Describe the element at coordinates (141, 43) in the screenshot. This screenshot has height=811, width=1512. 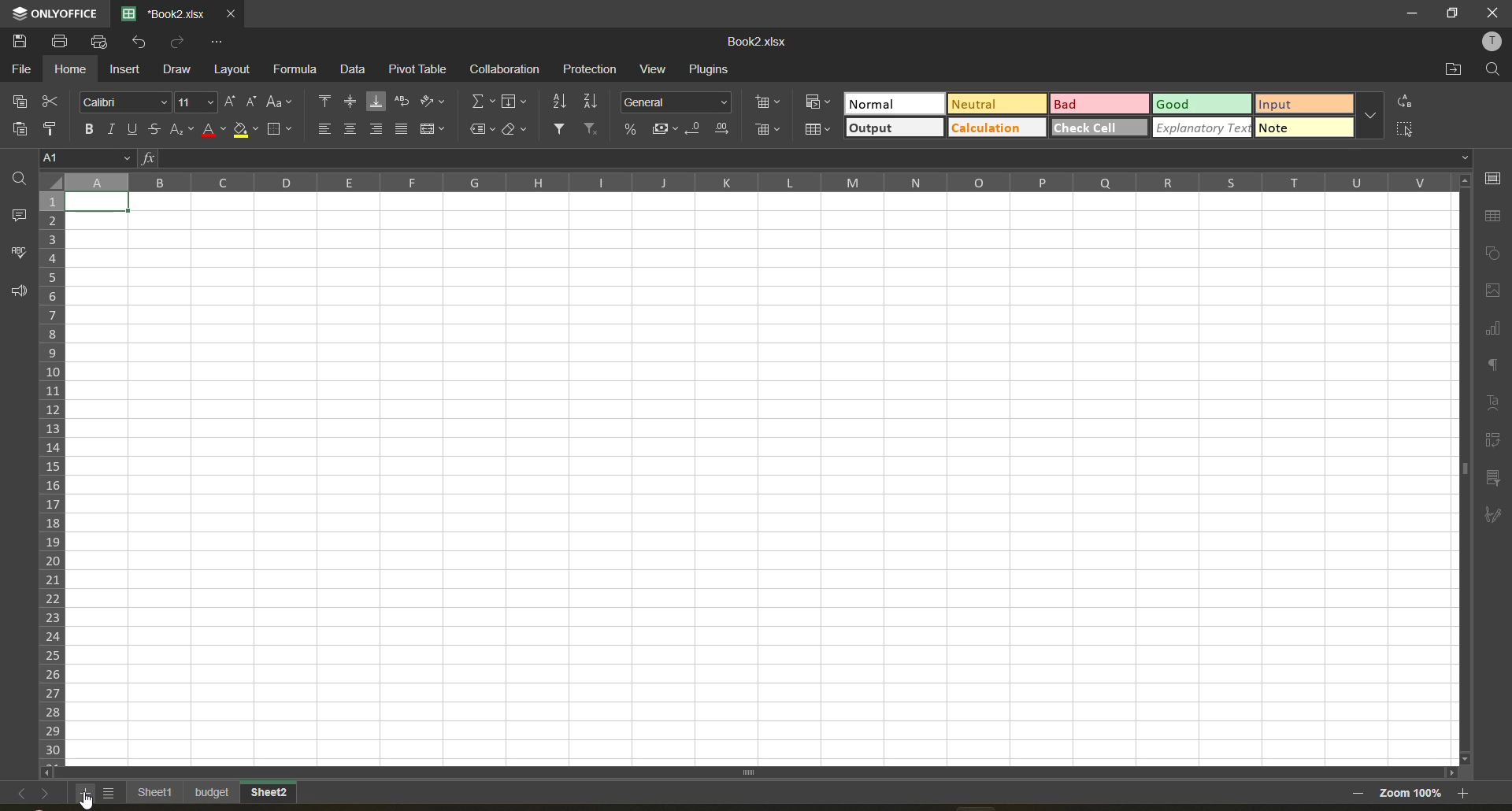
I see `undo` at that location.